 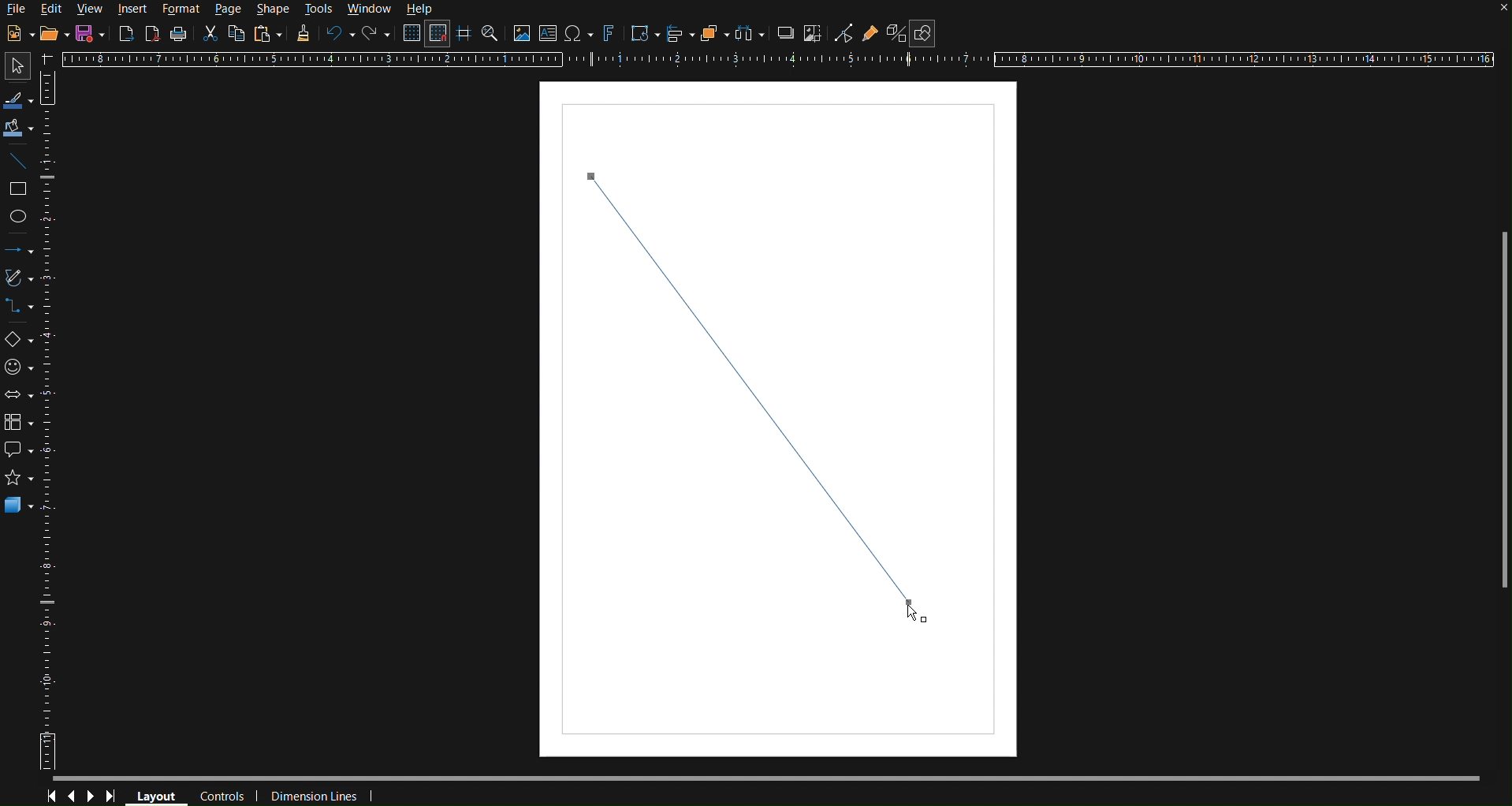 I want to click on Dimension Lines, so click(x=315, y=795).